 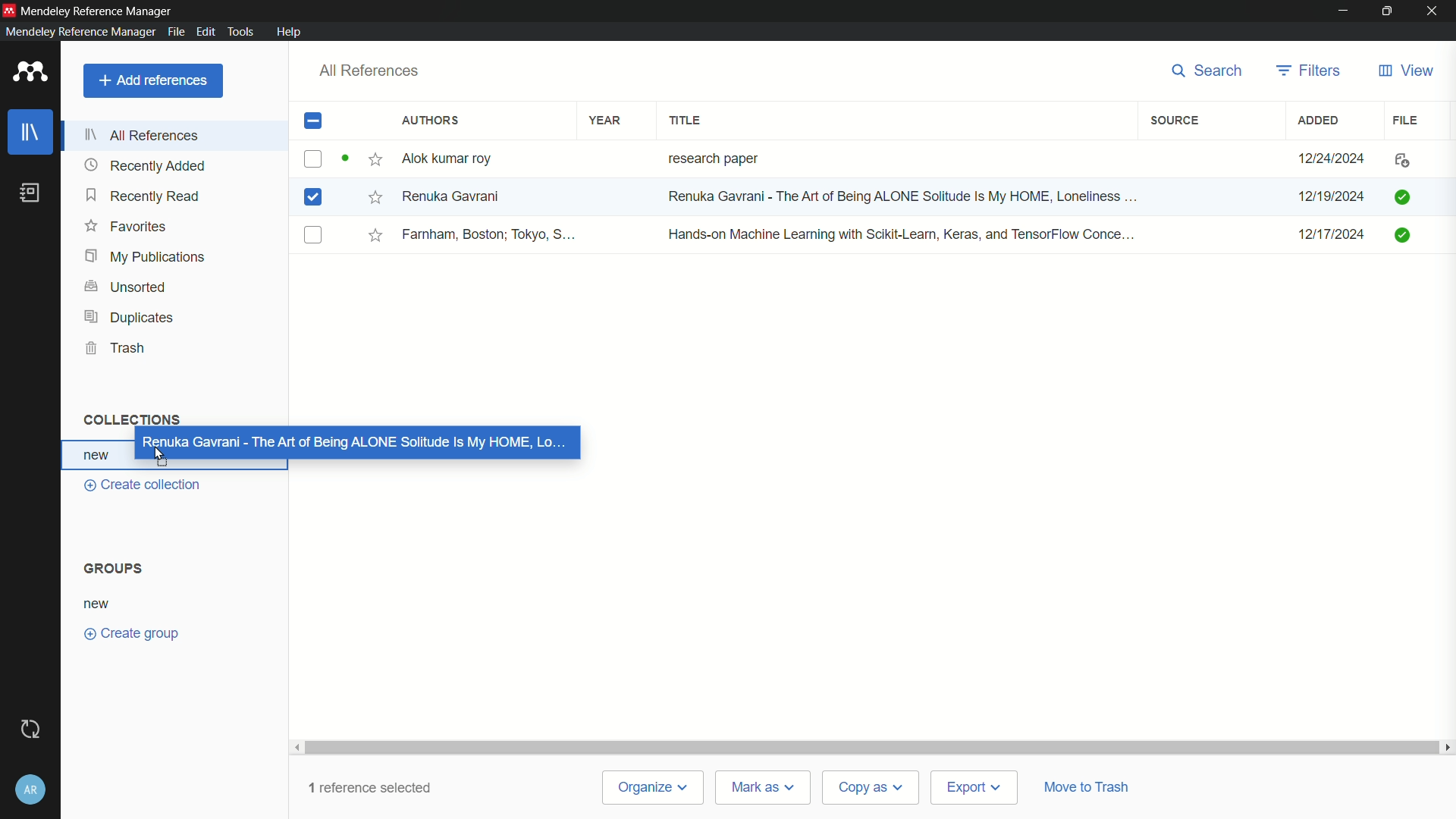 What do you see at coordinates (1332, 159) in the screenshot?
I see `12/24/2024` at bounding box center [1332, 159].